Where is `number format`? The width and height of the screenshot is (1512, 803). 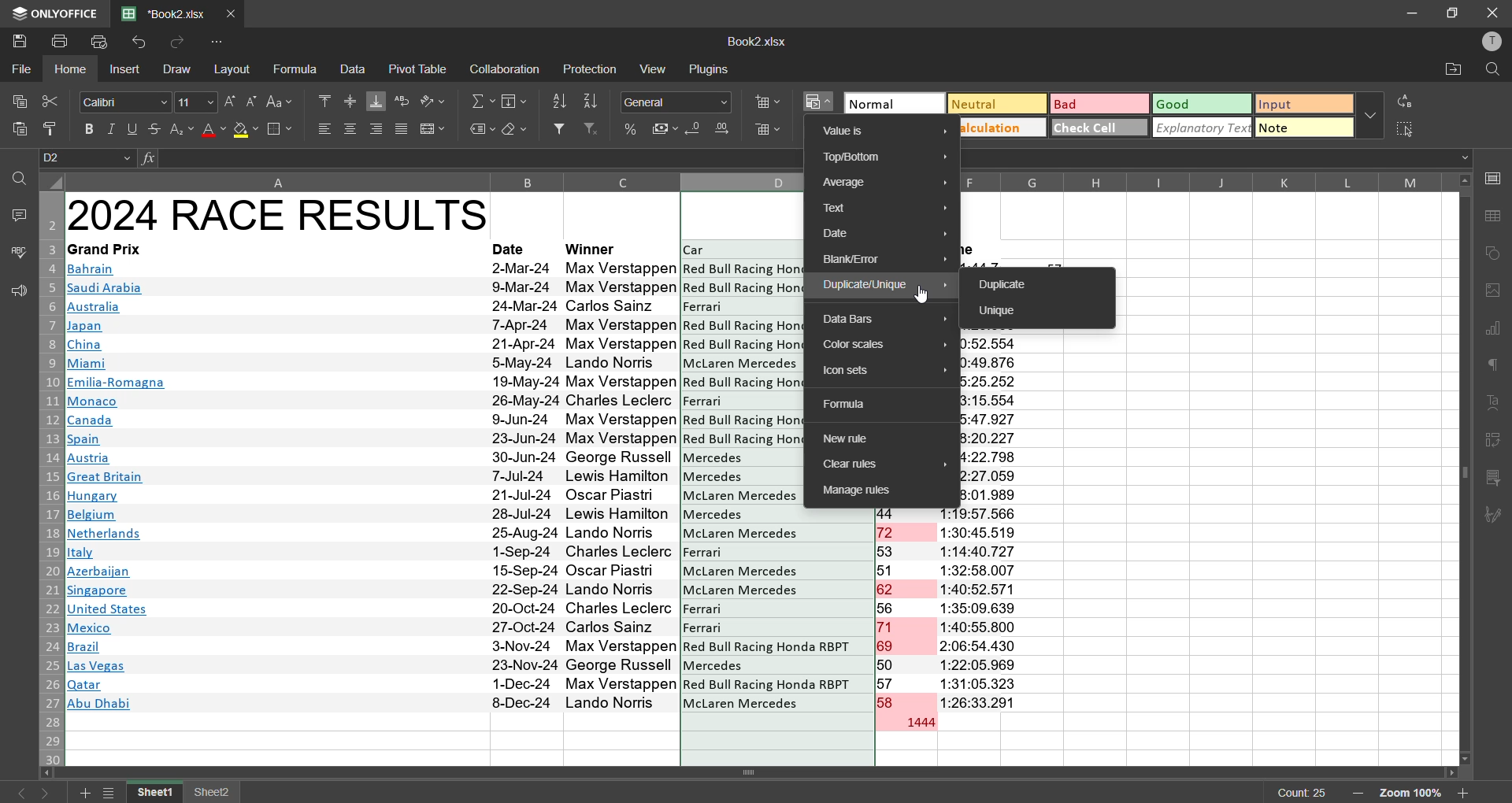
number format is located at coordinates (681, 102).